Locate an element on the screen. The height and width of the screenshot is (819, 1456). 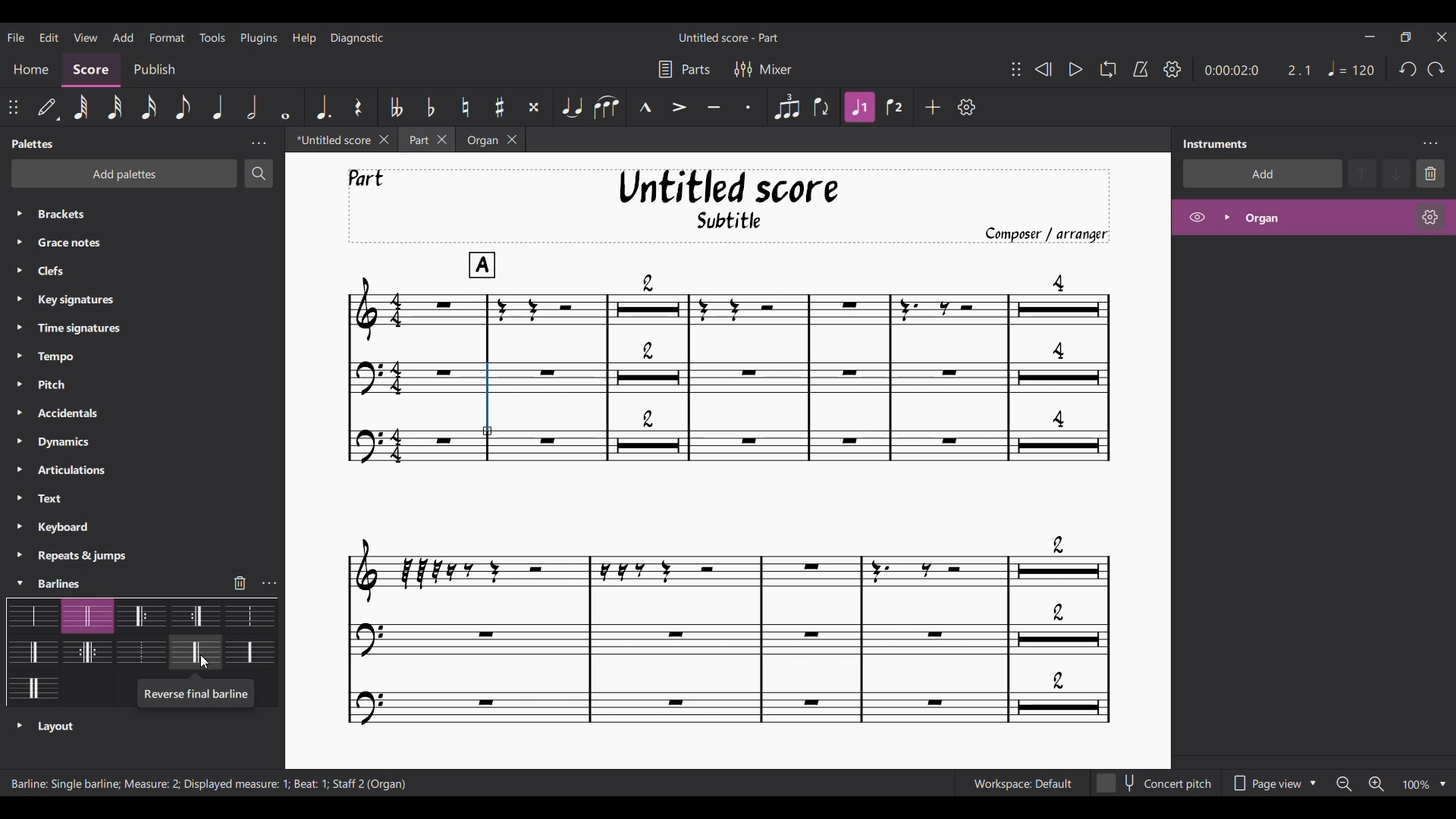
Palette panel settings is located at coordinates (259, 143).